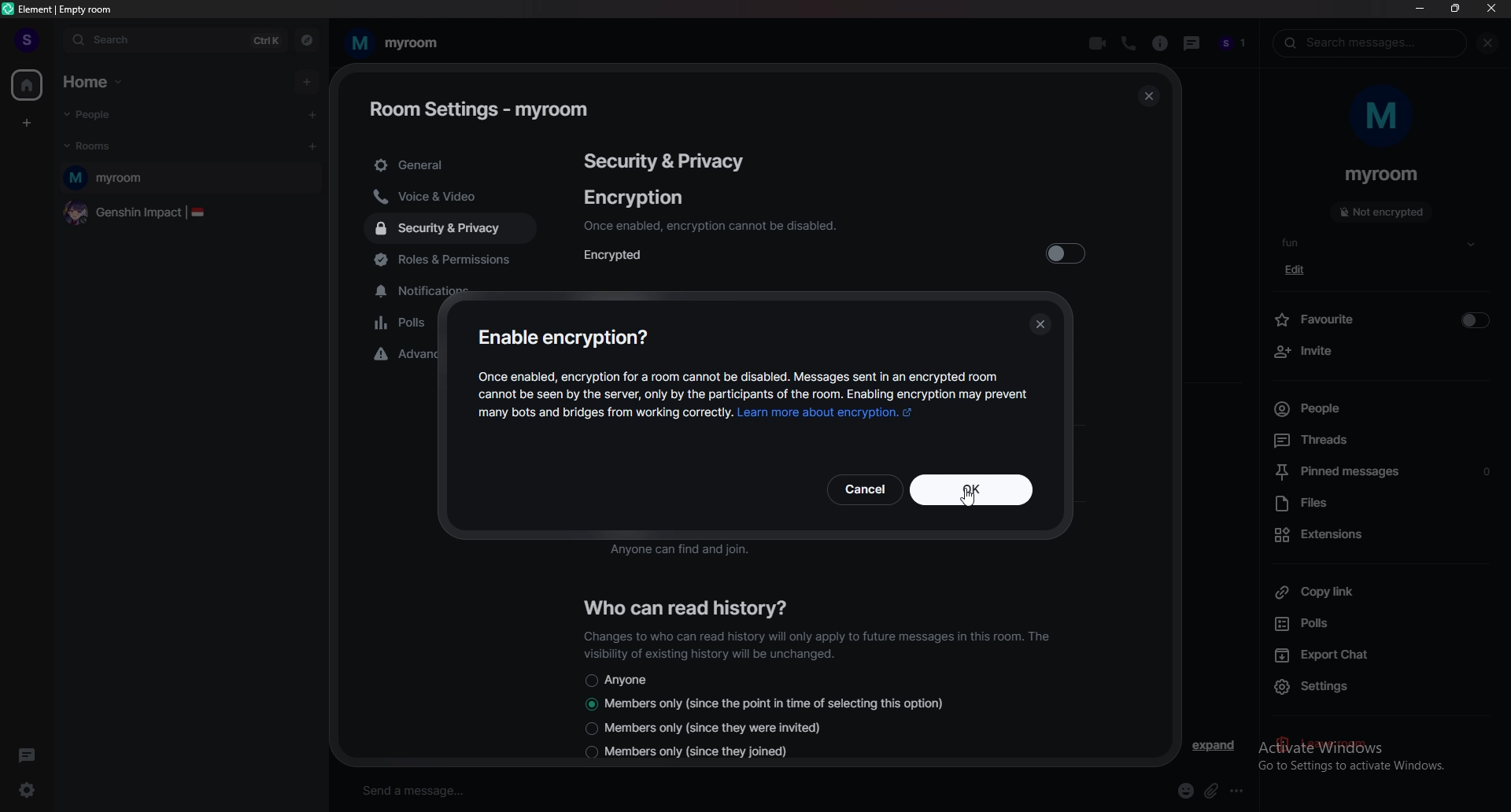 Image resolution: width=1511 pixels, height=812 pixels. What do you see at coordinates (9, 9) in the screenshot?
I see `element logo` at bounding box center [9, 9].